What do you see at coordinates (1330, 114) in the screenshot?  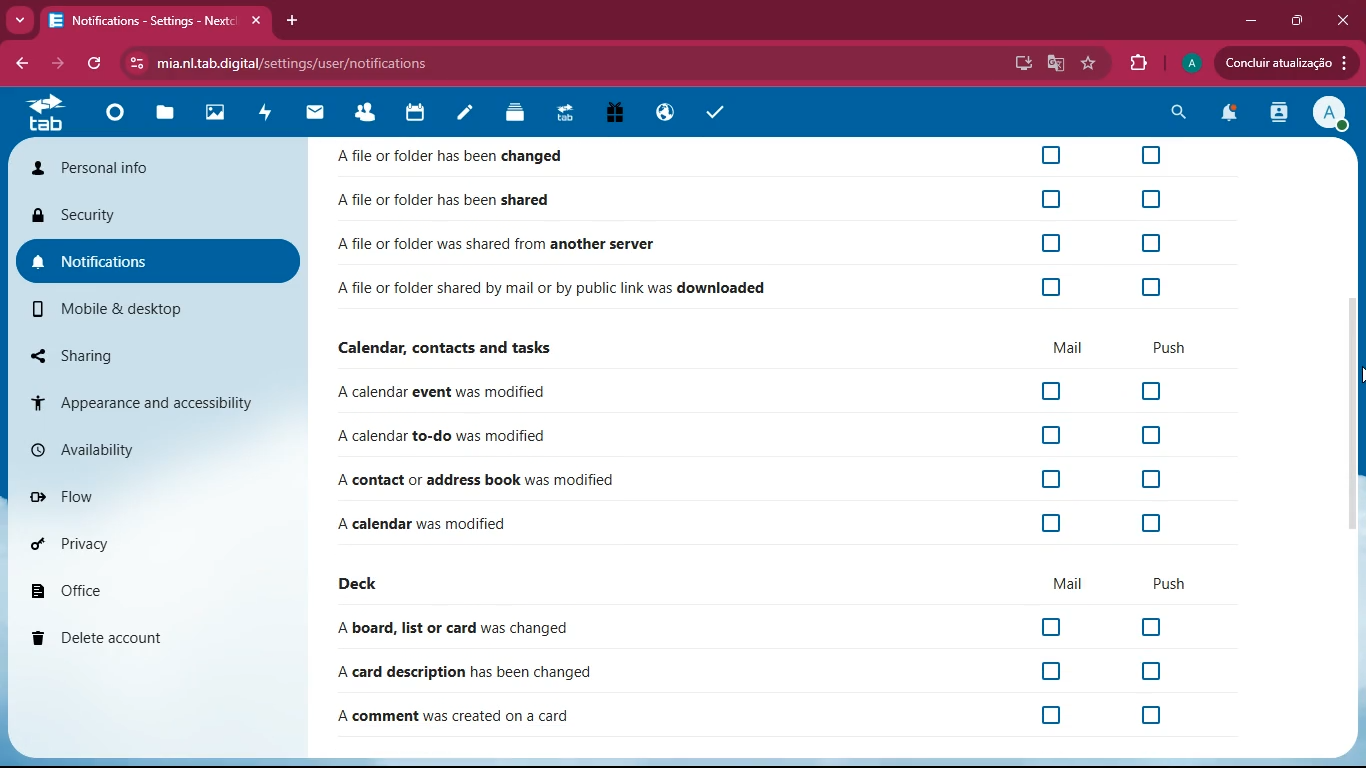 I see `View Profile` at bounding box center [1330, 114].